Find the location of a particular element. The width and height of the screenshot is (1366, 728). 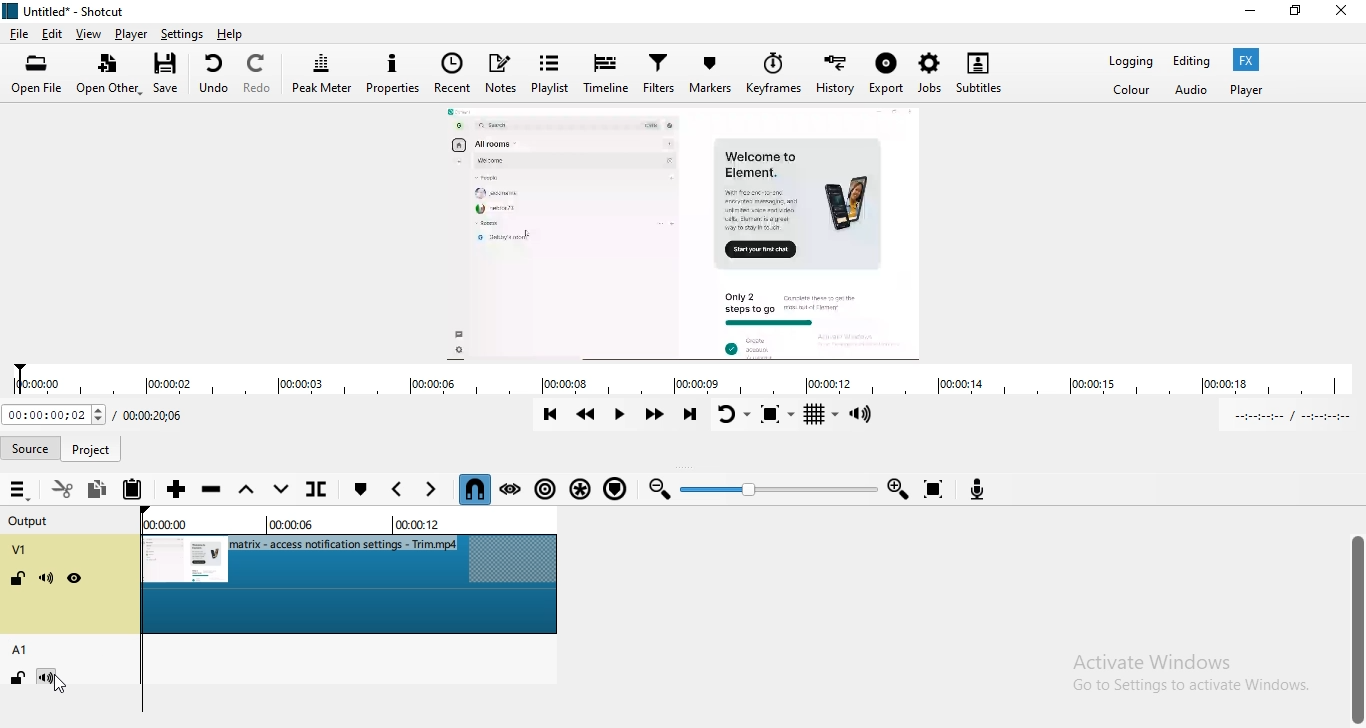

Skip to previous is located at coordinates (555, 415).